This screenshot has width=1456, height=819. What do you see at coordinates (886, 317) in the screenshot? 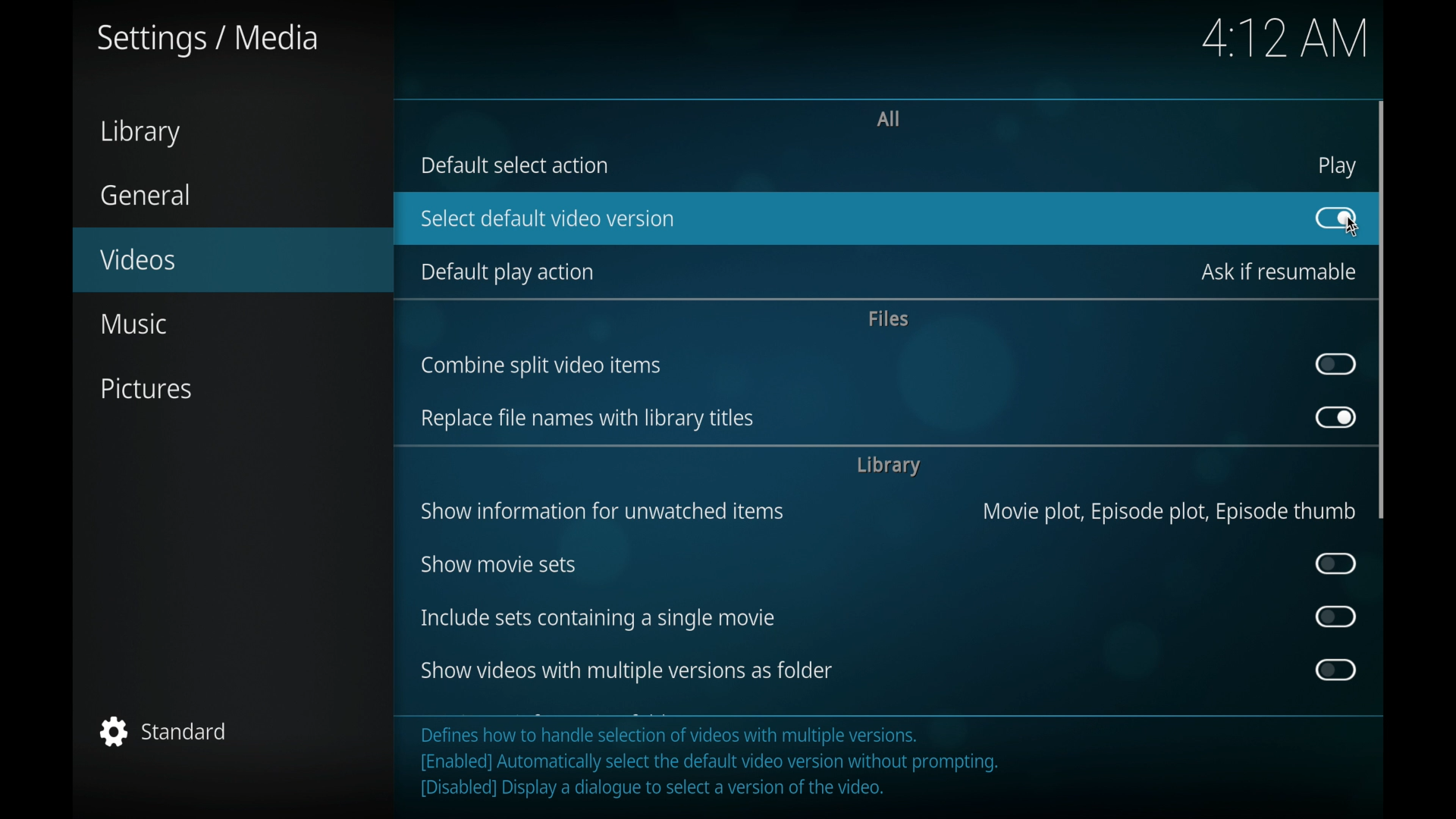
I see `files` at bounding box center [886, 317].